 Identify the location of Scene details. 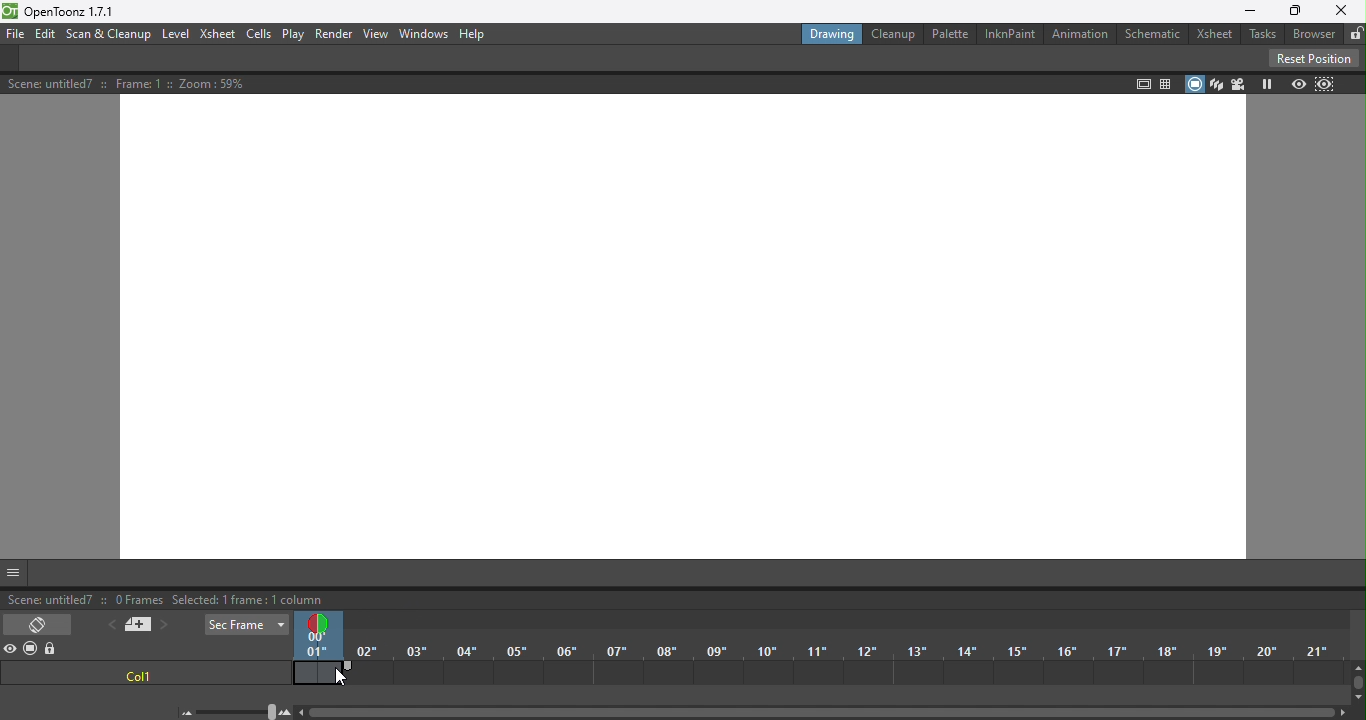
(149, 84).